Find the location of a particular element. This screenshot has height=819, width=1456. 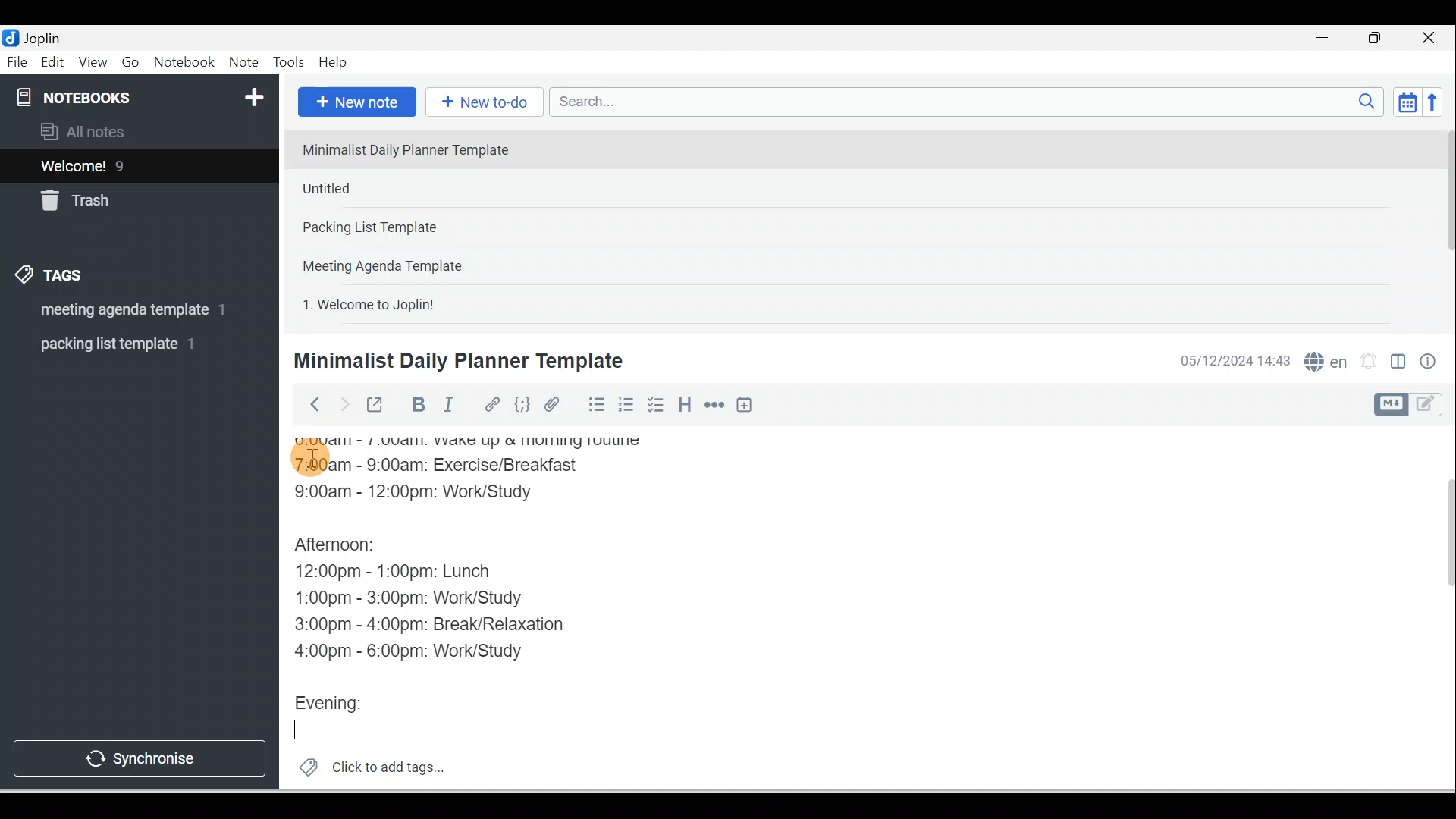

Close is located at coordinates (1432, 38).